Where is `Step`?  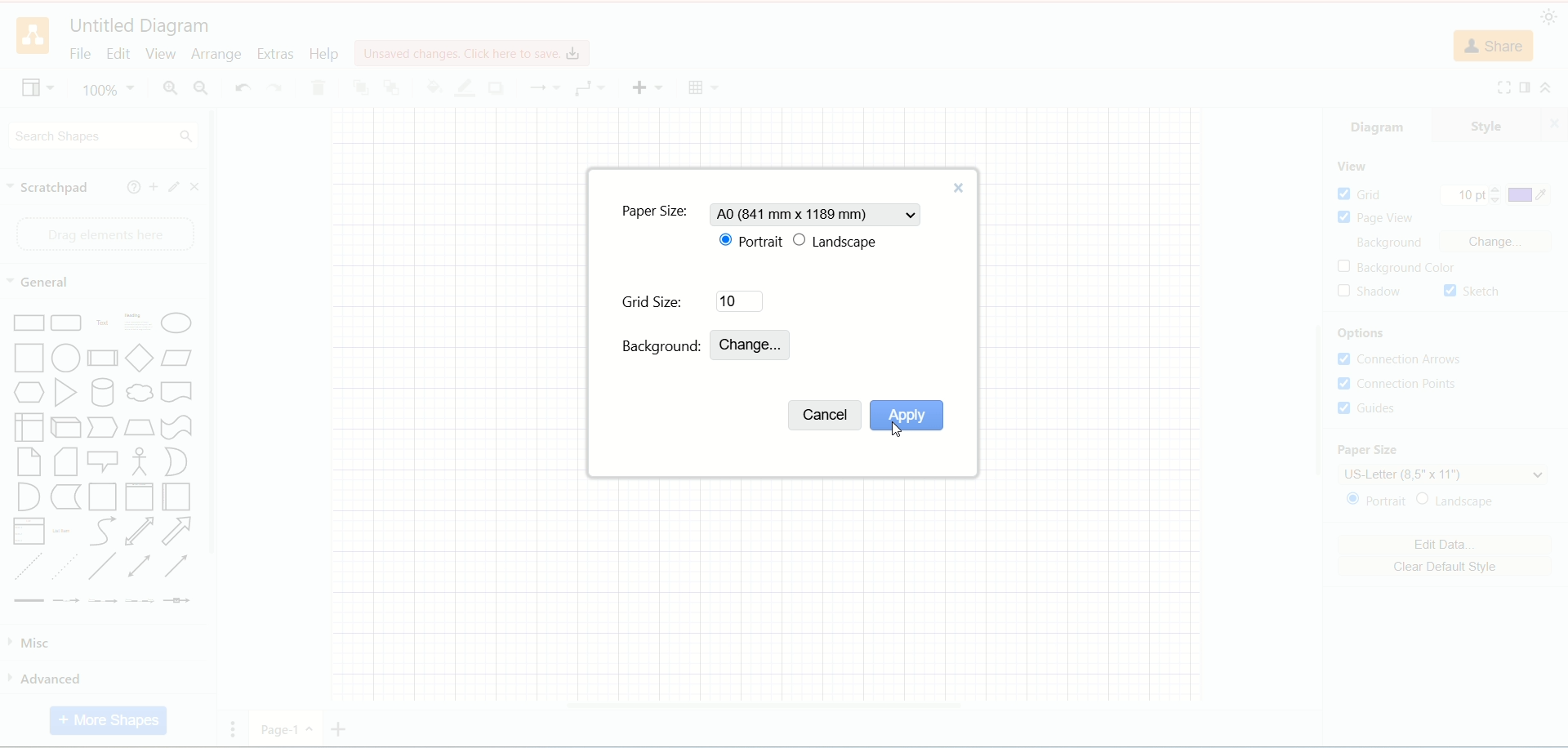
Step is located at coordinates (103, 428).